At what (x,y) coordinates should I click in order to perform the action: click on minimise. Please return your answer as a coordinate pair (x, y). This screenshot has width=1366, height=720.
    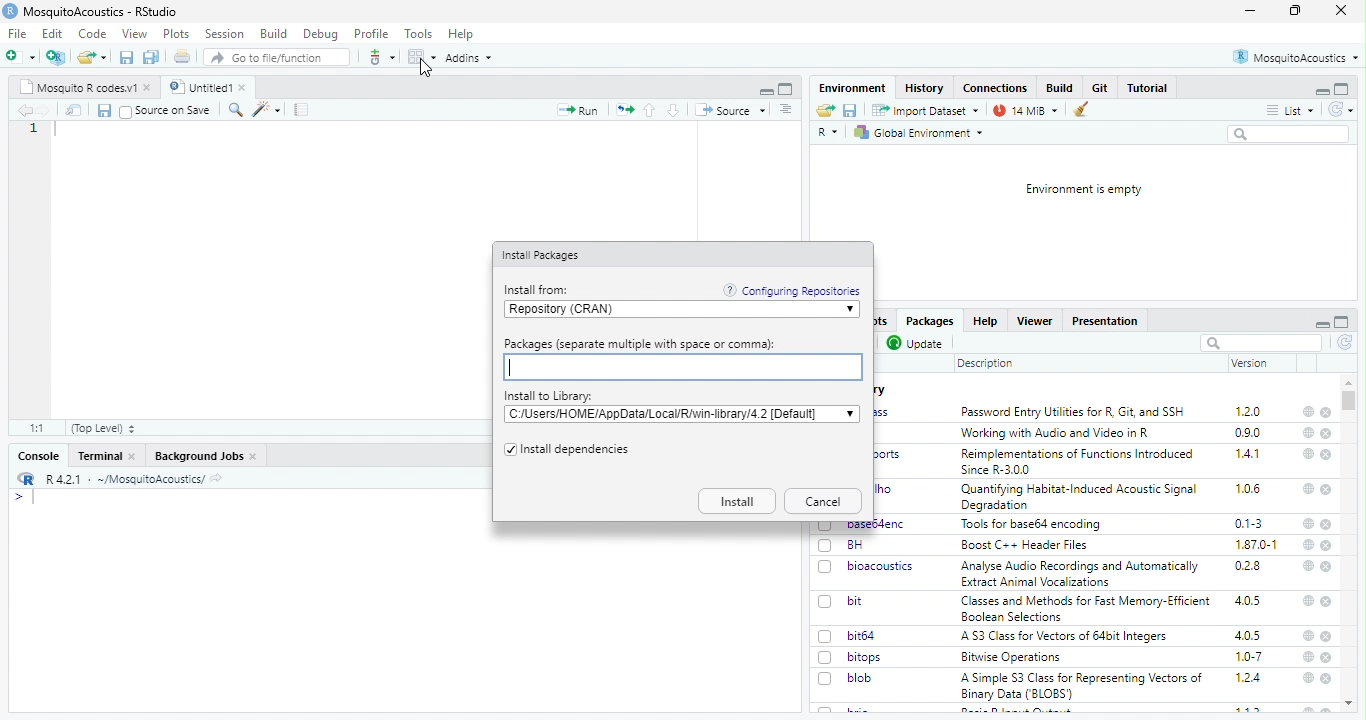
    Looking at the image, I should click on (1323, 92).